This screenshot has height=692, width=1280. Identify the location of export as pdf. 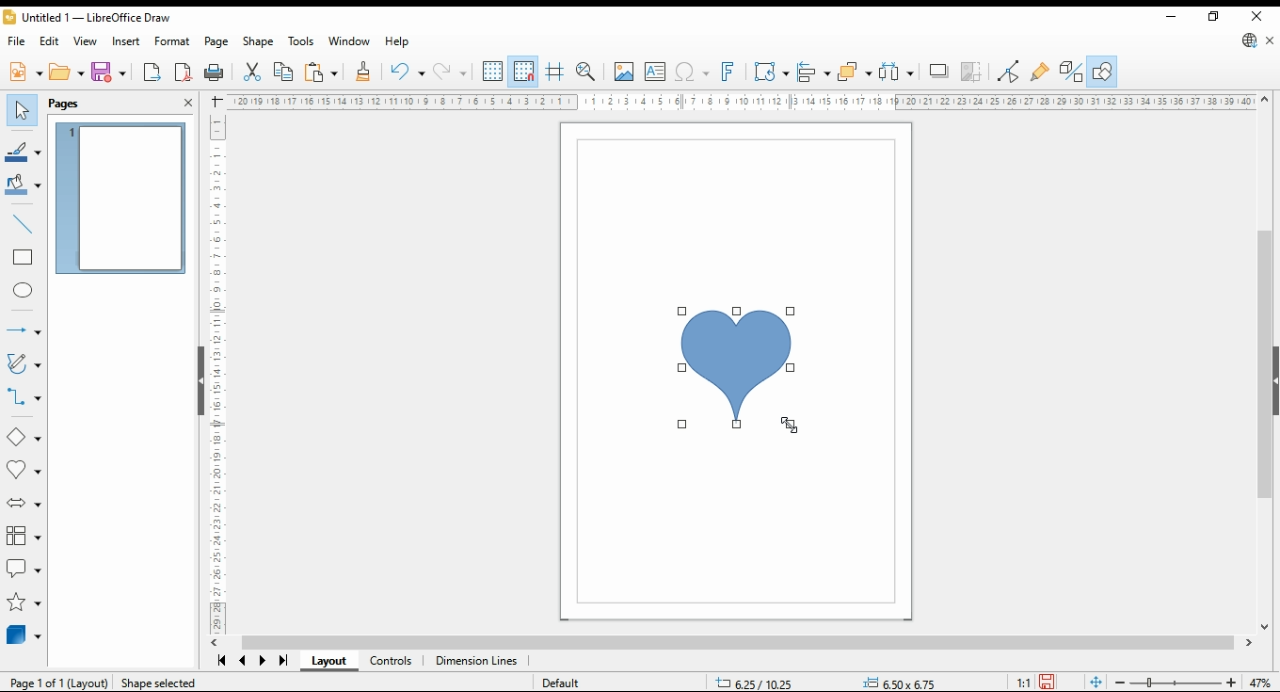
(184, 72).